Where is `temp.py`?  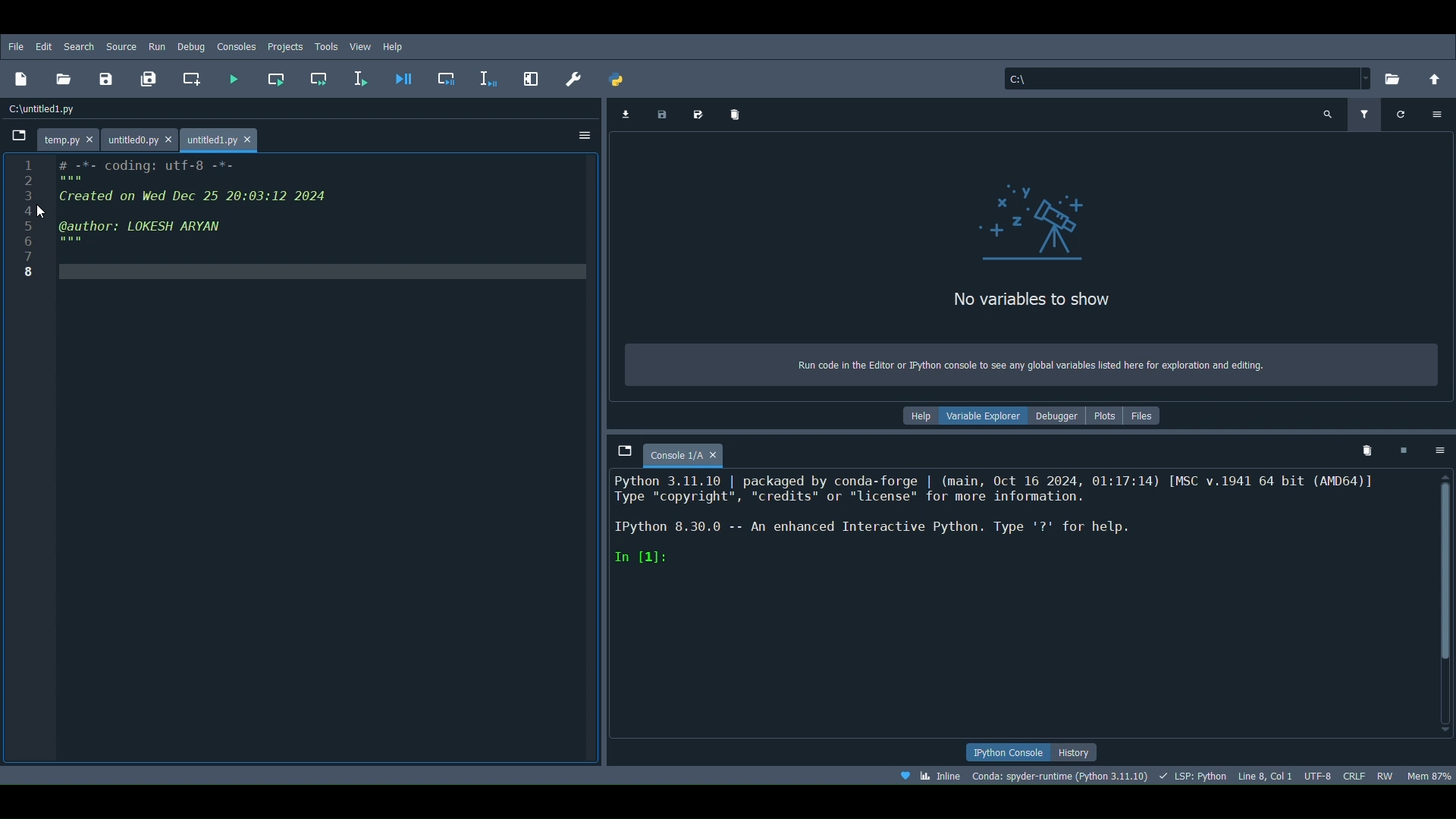
temp.py is located at coordinates (70, 136).